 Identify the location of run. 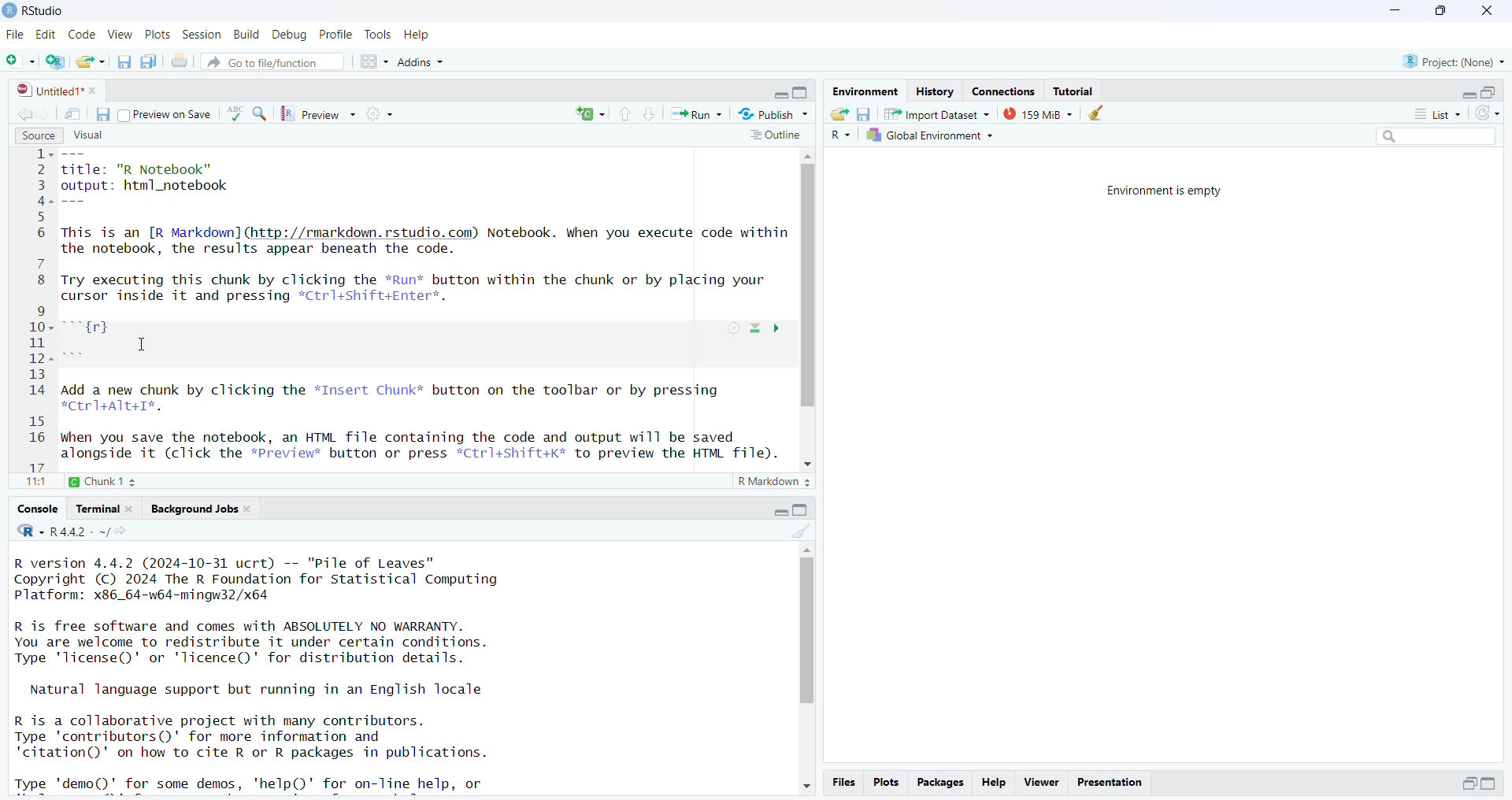
(697, 114).